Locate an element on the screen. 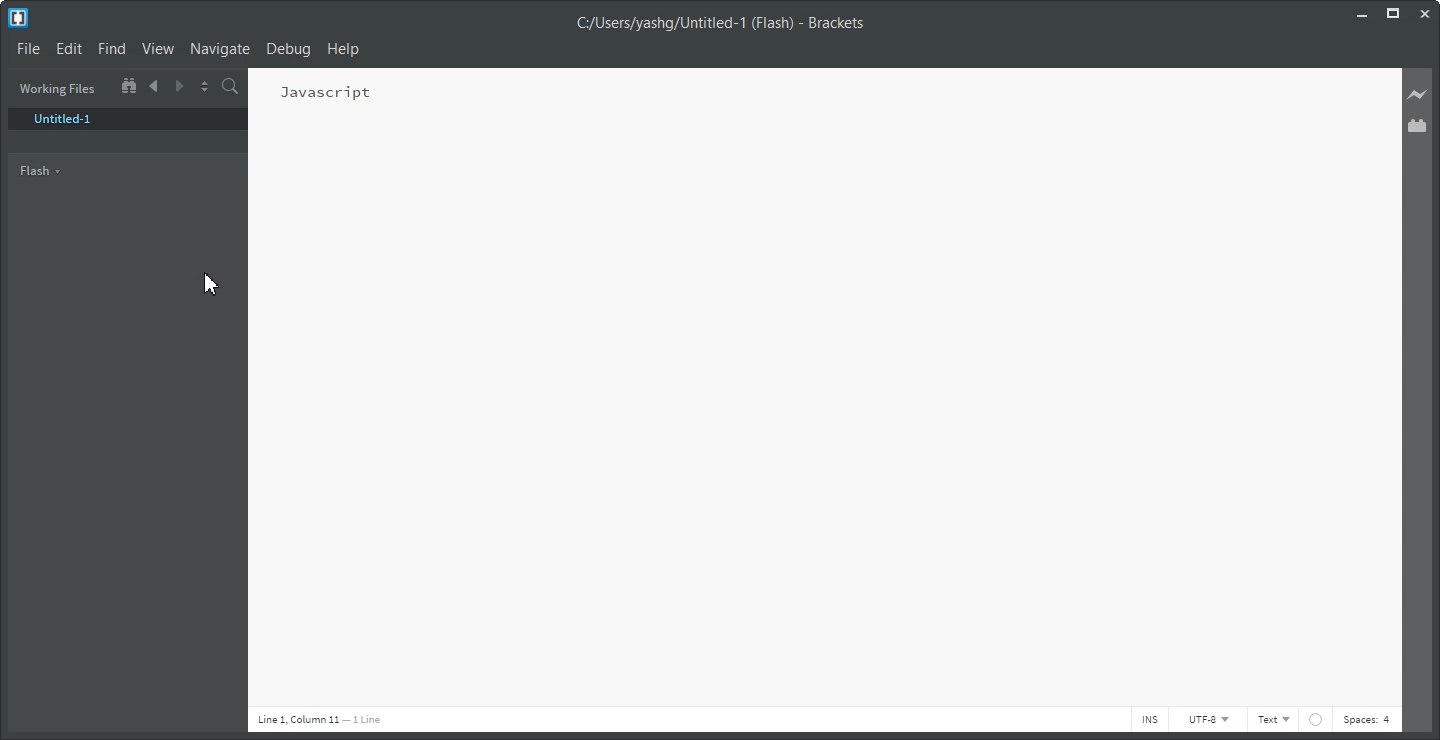  UTF-8 is located at coordinates (1194, 719).